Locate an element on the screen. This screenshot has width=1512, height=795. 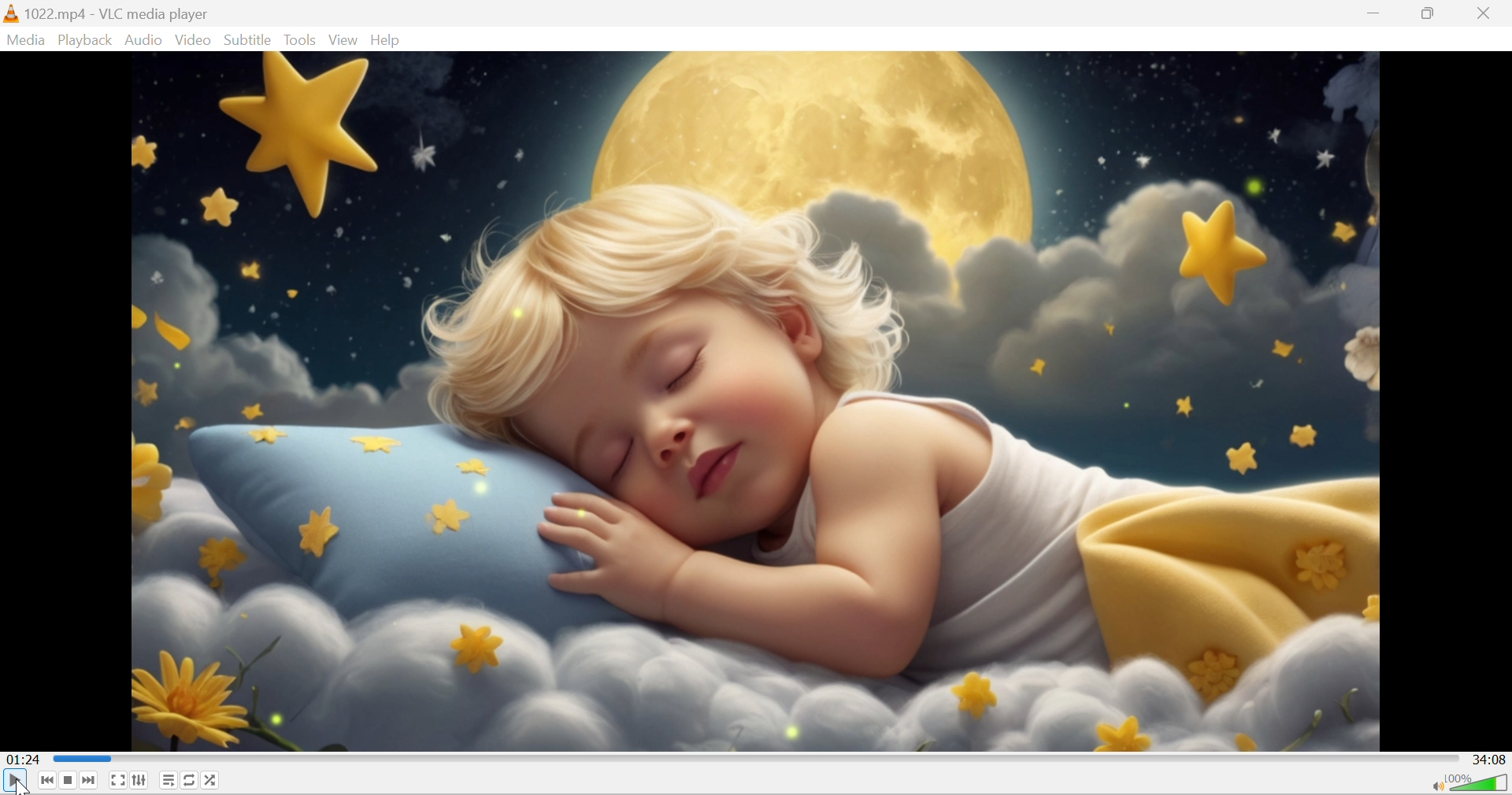
Toggle playlist is located at coordinates (170, 781).